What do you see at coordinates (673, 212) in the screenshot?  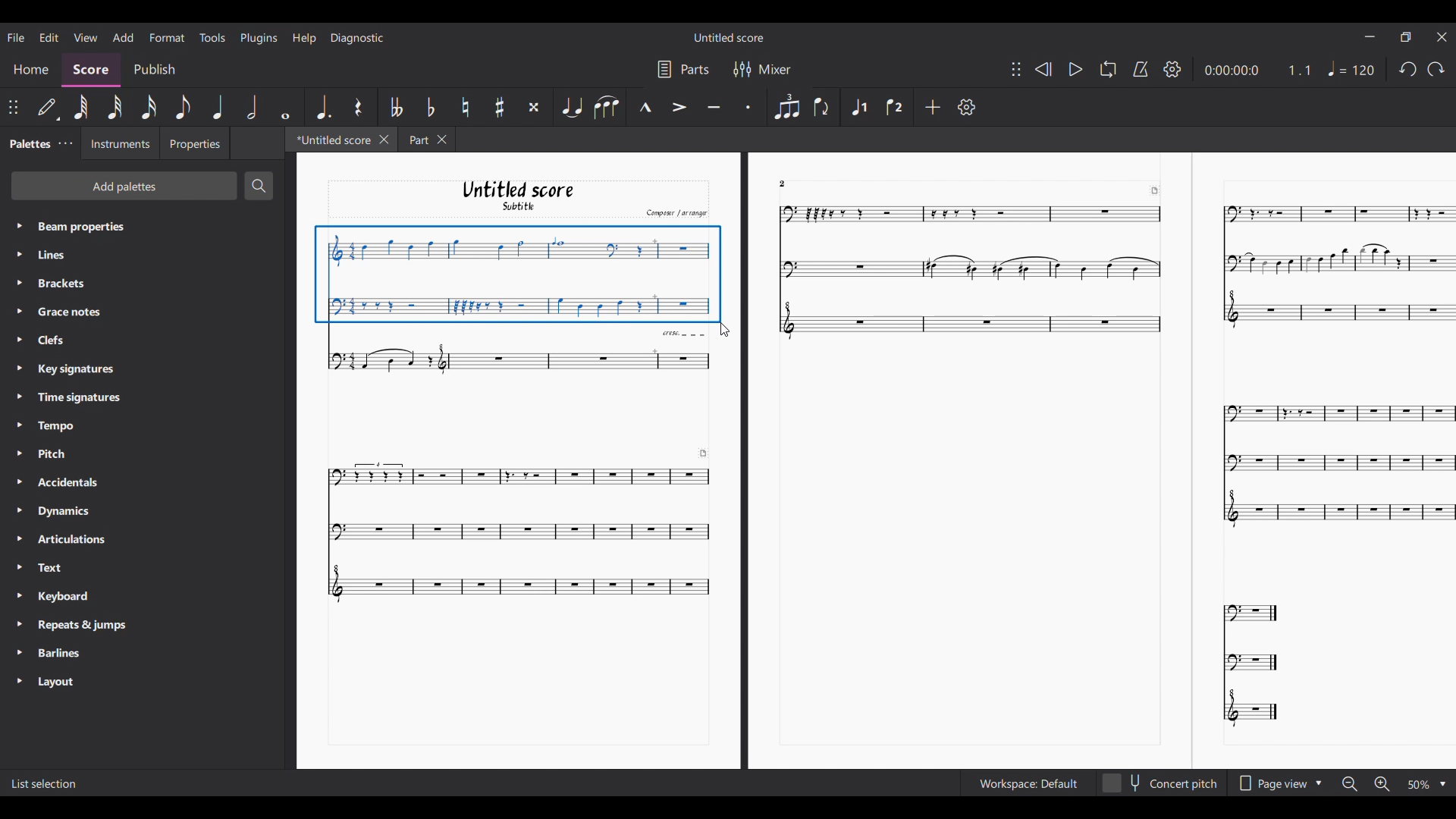 I see `Comput arrange` at bounding box center [673, 212].